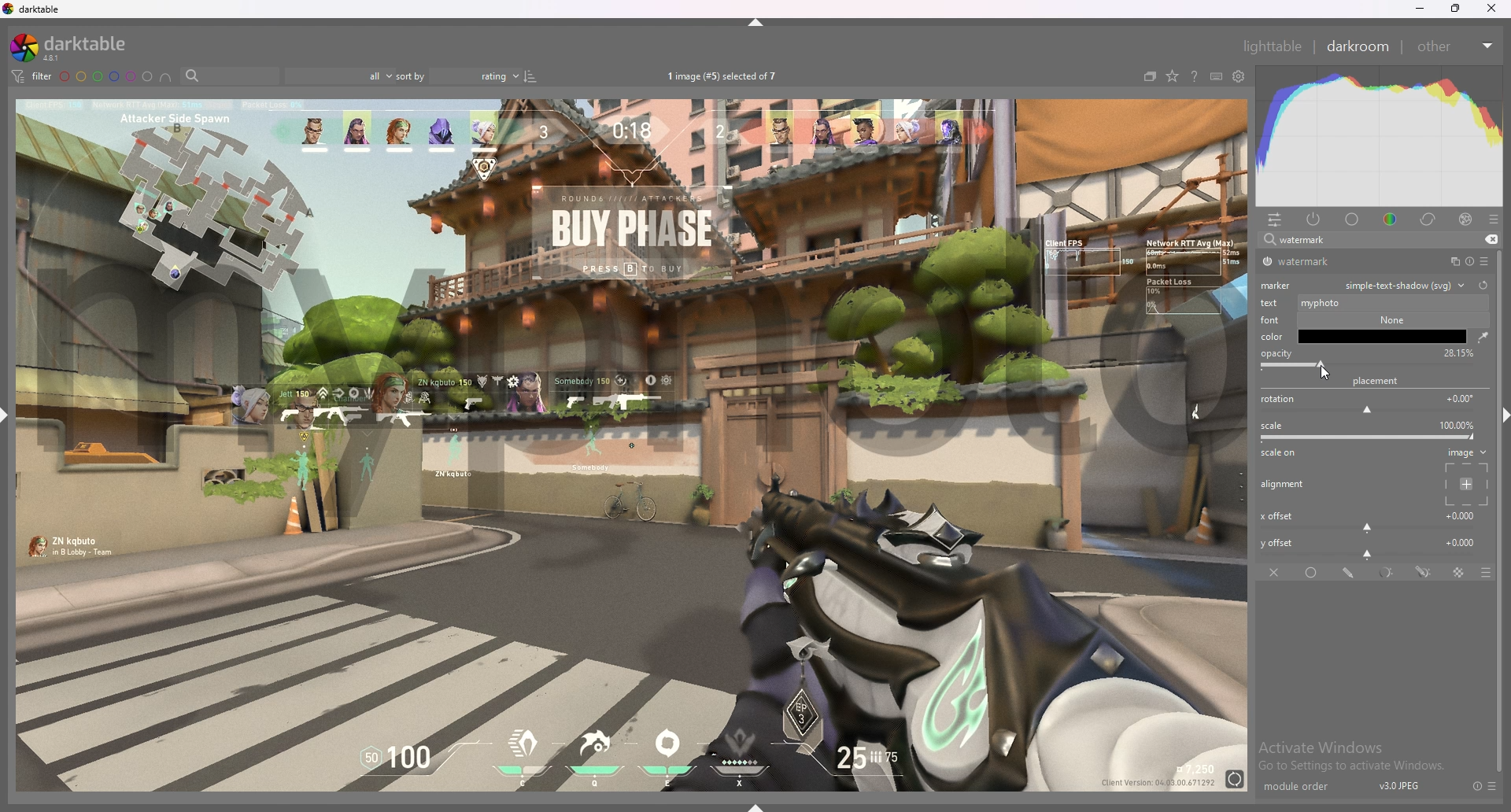 This screenshot has width=1511, height=812. What do you see at coordinates (30, 76) in the screenshot?
I see `filter` at bounding box center [30, 76].